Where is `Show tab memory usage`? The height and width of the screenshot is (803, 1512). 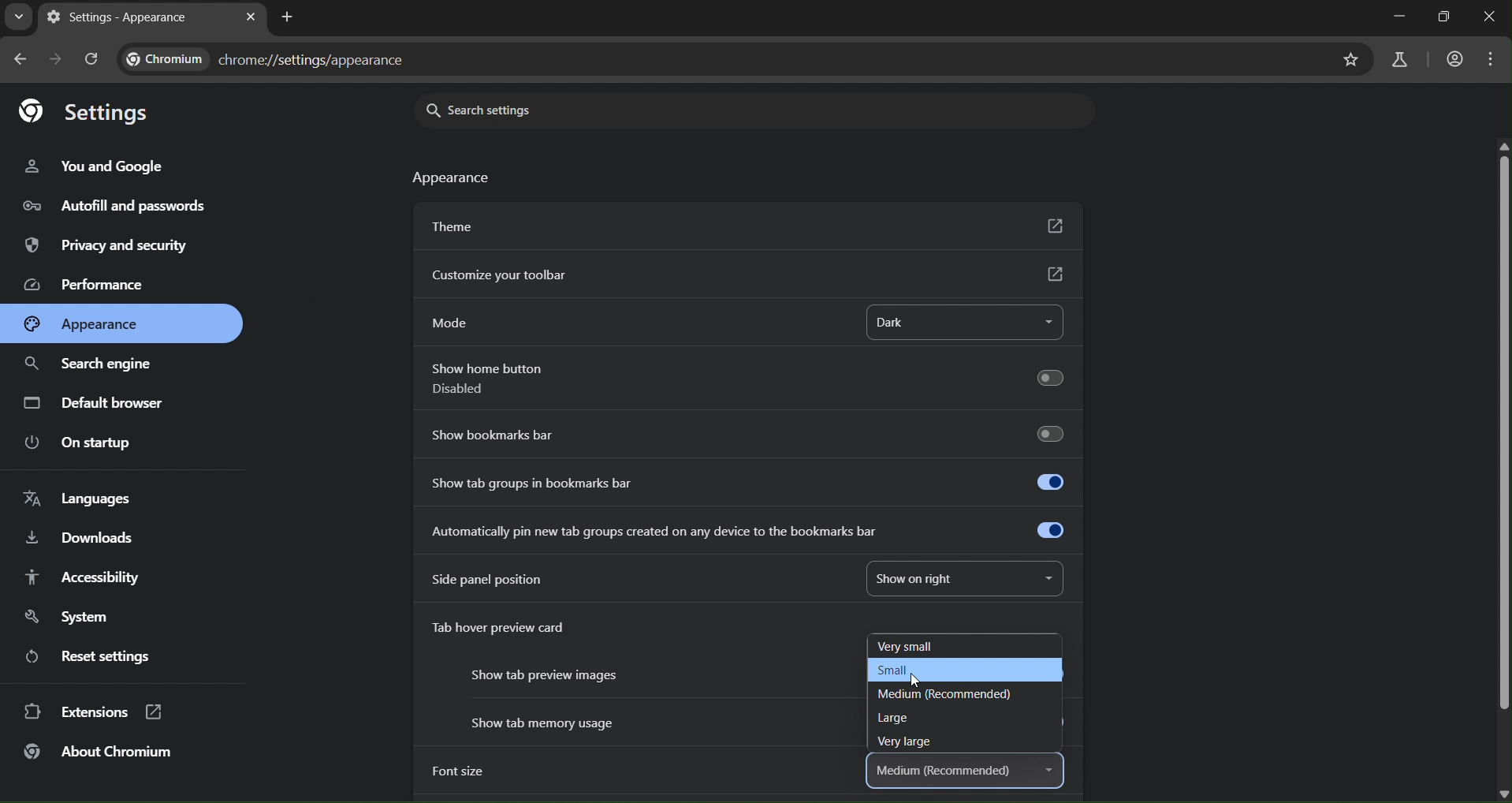 Show tab memory usage is located at coordinates (548, 724).